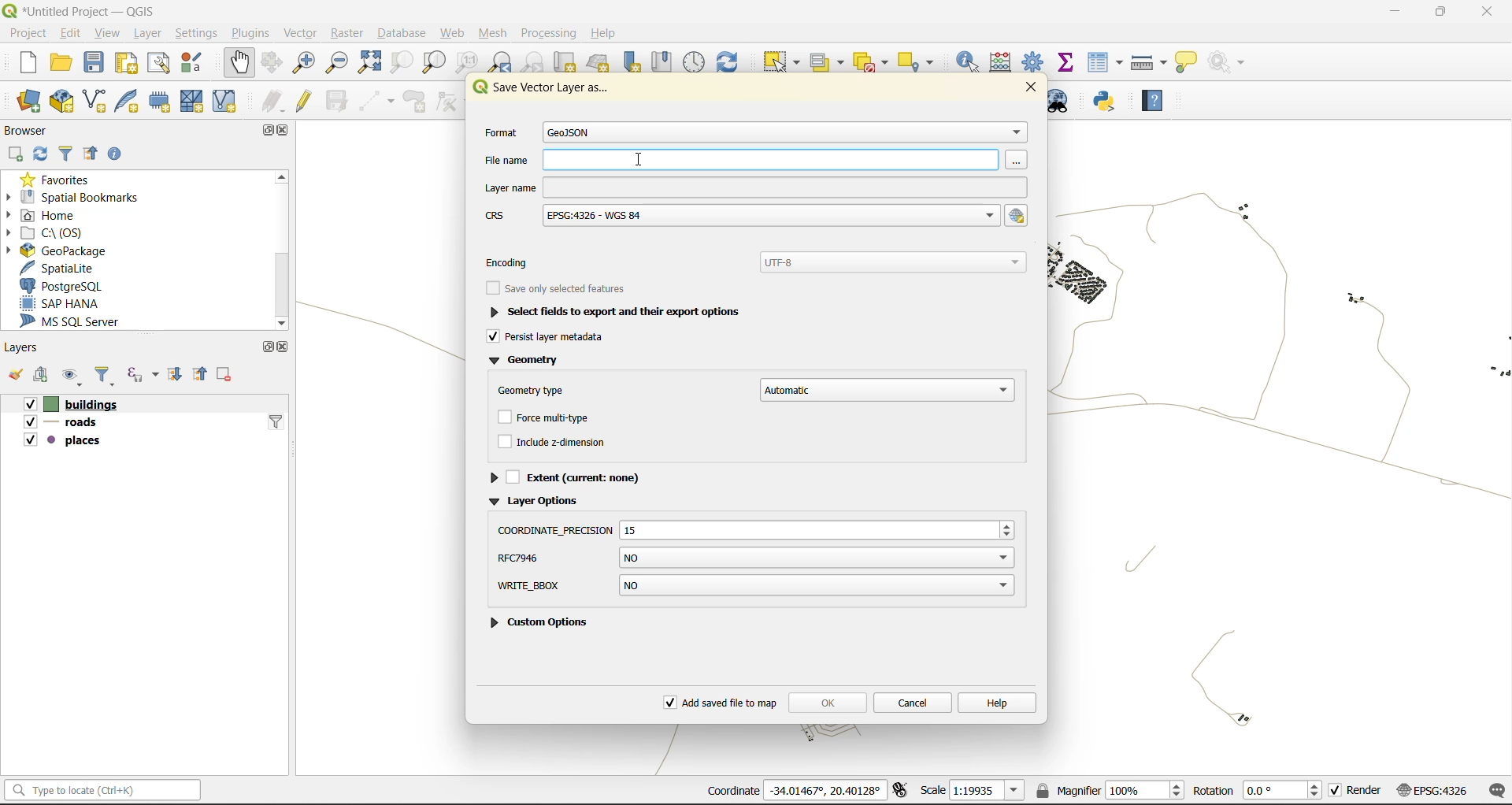  I want to click on add, so click(42, 376).